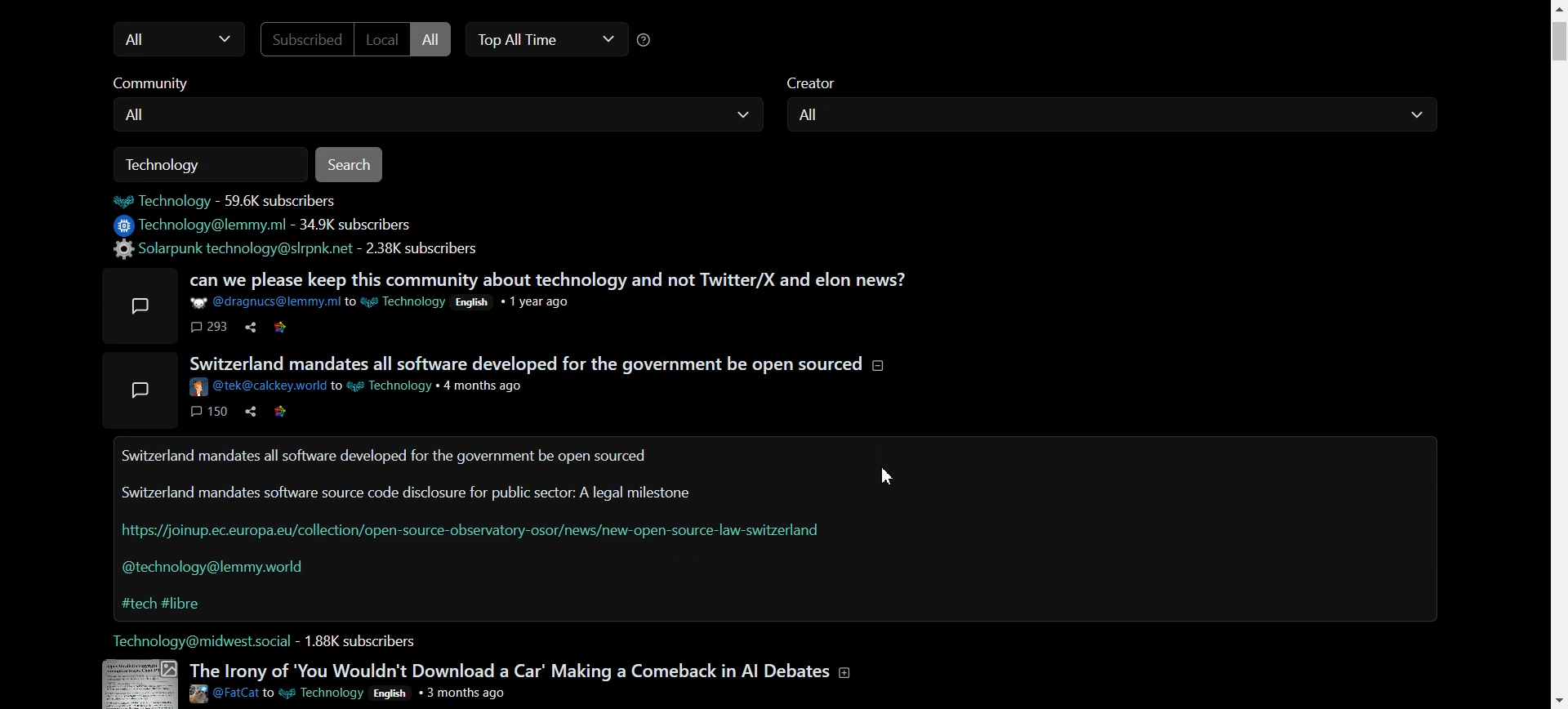  Describe the element at coordinates (472, 530) in the screenshot. I see `https://joinup.ec.europa.eu/collection/open-source-observatory-osor/news/new-open-source-law-switzerland` at that location.